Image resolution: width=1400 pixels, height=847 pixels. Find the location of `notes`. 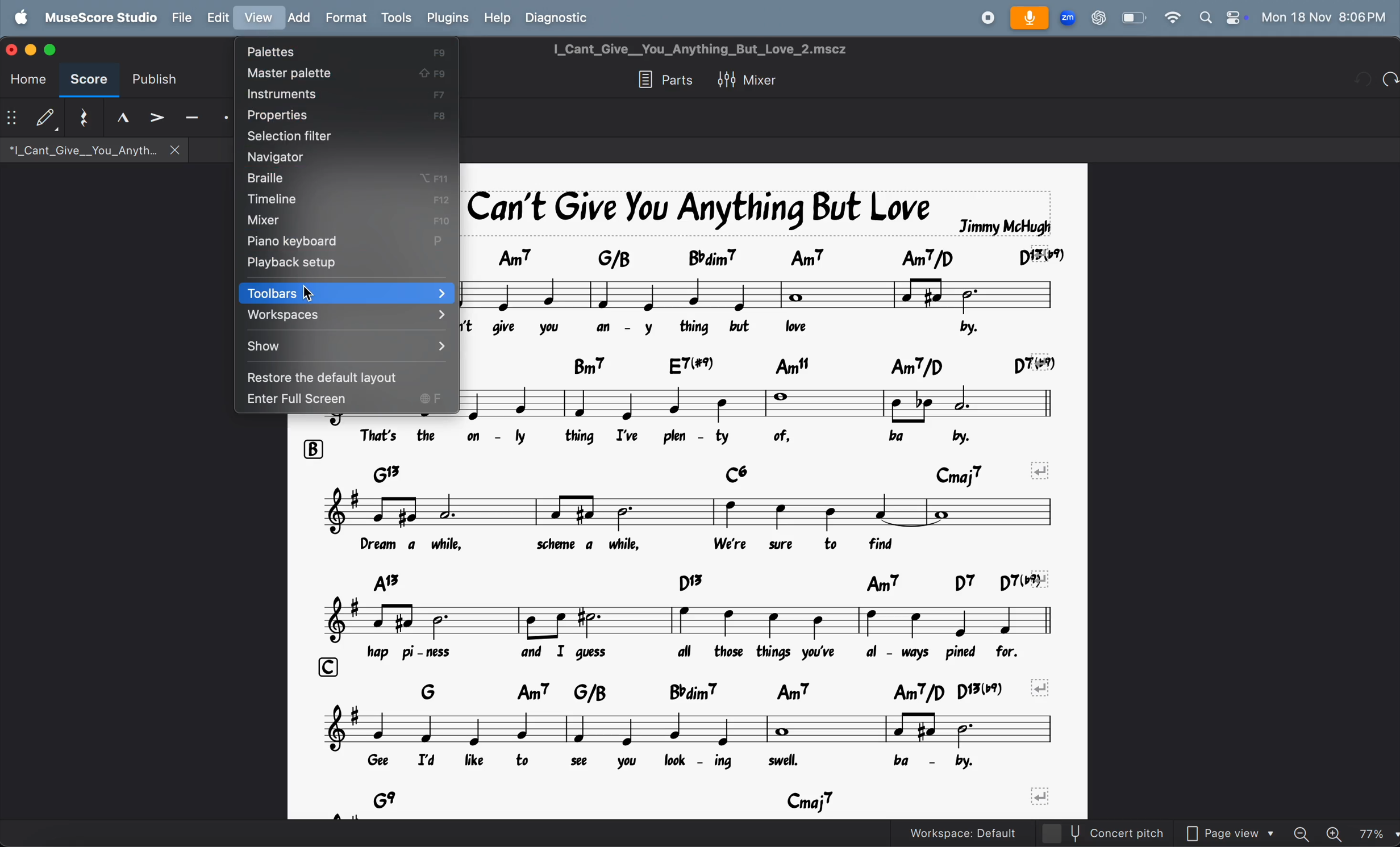

notes is located at coordinates (685, 512).